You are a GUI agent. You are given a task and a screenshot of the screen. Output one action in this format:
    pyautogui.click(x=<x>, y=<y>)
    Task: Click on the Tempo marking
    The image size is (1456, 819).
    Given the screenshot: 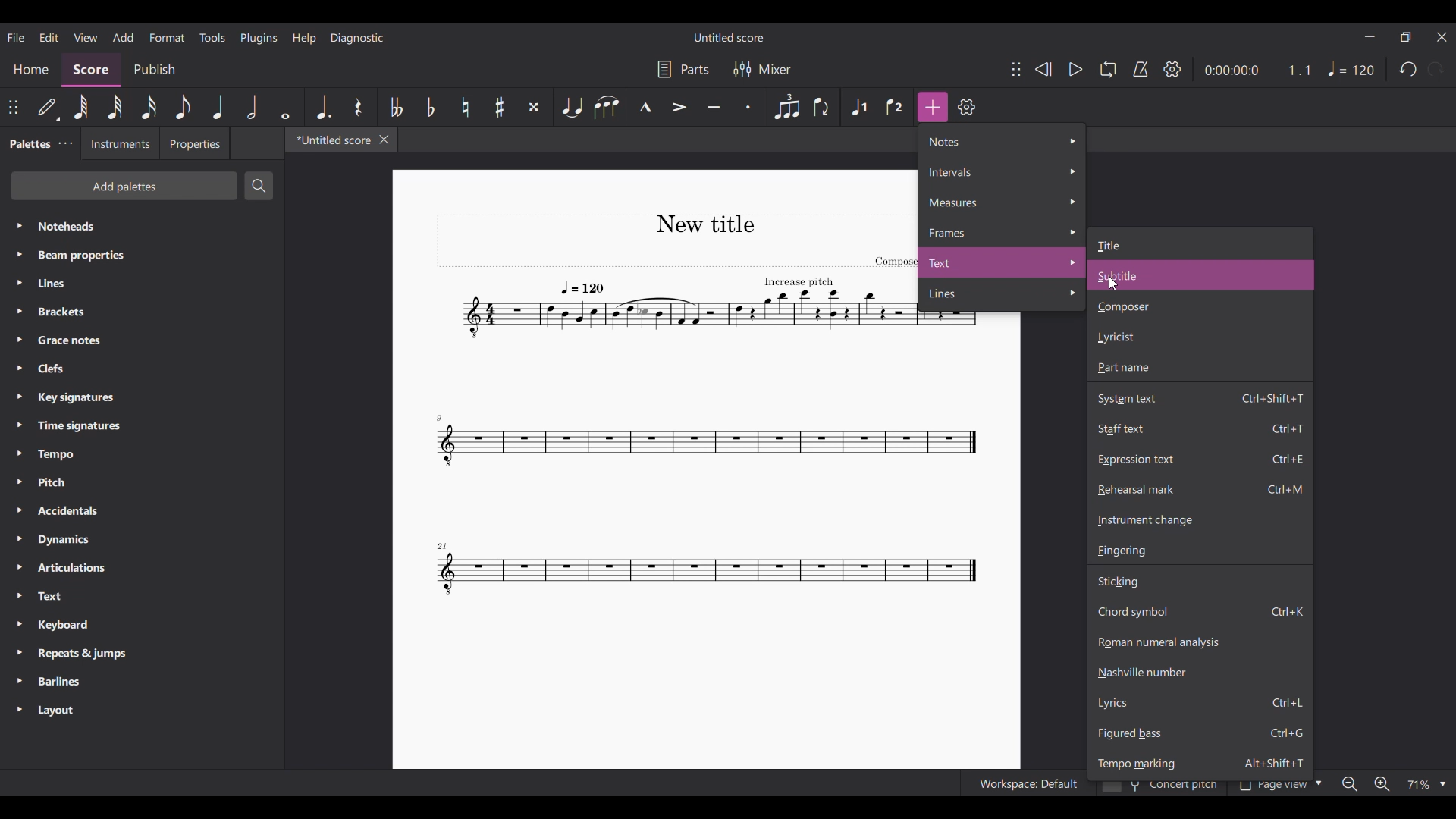 What is the action you would take?
    pyautogui.click(x=1200, y=763)
    